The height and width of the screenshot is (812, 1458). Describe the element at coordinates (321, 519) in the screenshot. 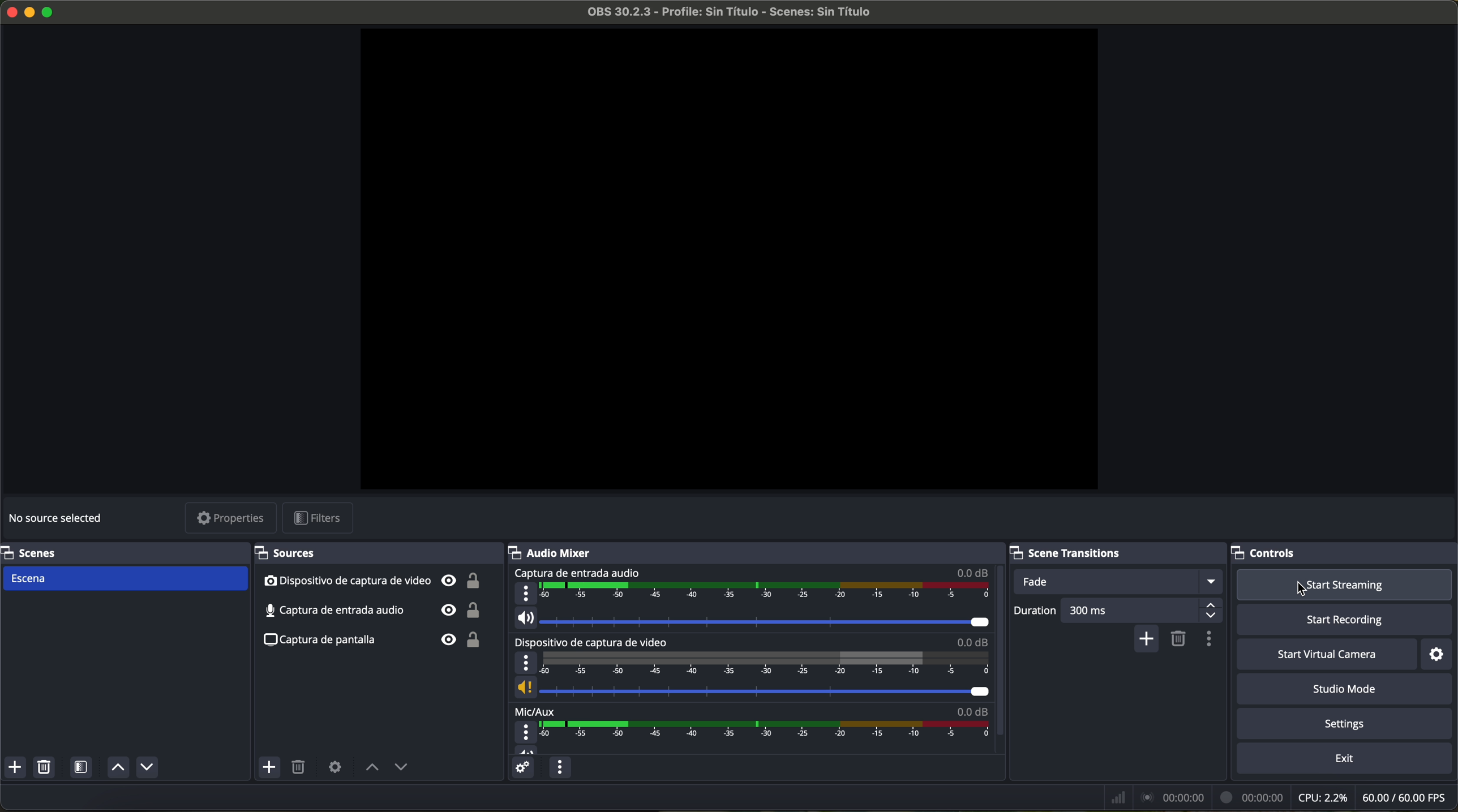

I see `filters` at that location.